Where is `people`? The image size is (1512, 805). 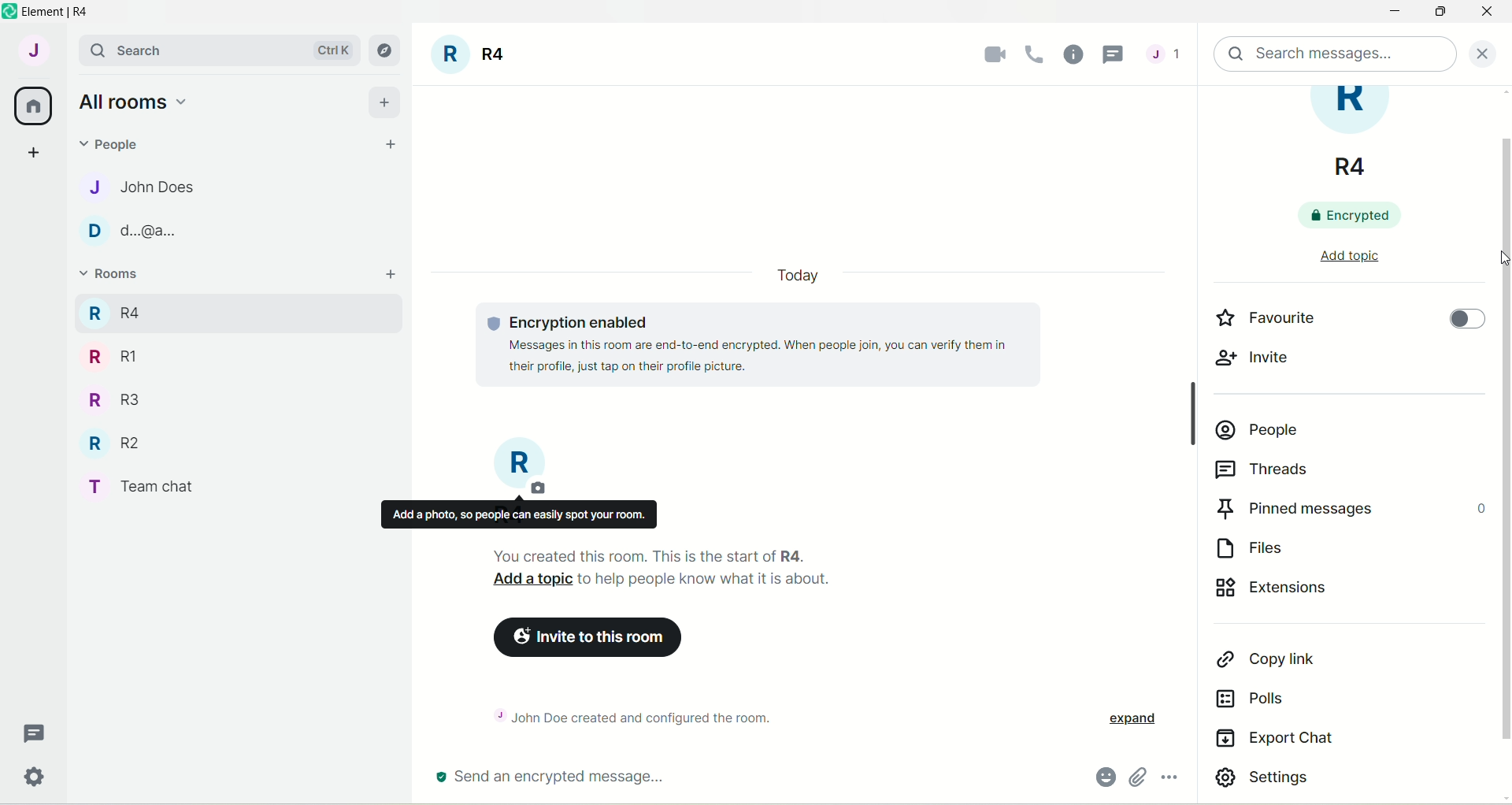
people is located at coordinates (1260, 425).